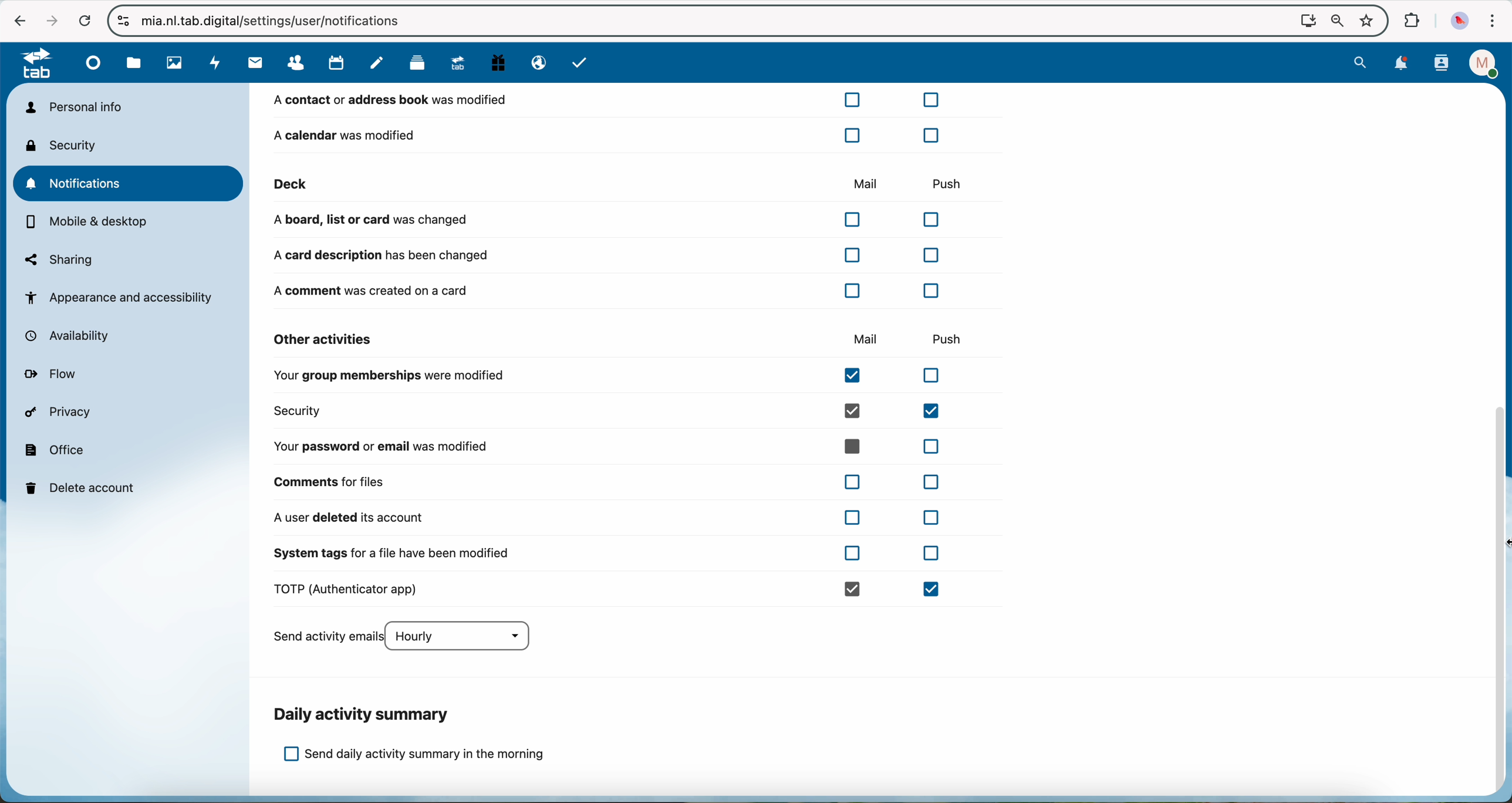 The width and height of the screenshot is (1512, 803). Describe the element at coordinates (609, 103) in the screenshot. I see `a contact or address book was modified` at that location.